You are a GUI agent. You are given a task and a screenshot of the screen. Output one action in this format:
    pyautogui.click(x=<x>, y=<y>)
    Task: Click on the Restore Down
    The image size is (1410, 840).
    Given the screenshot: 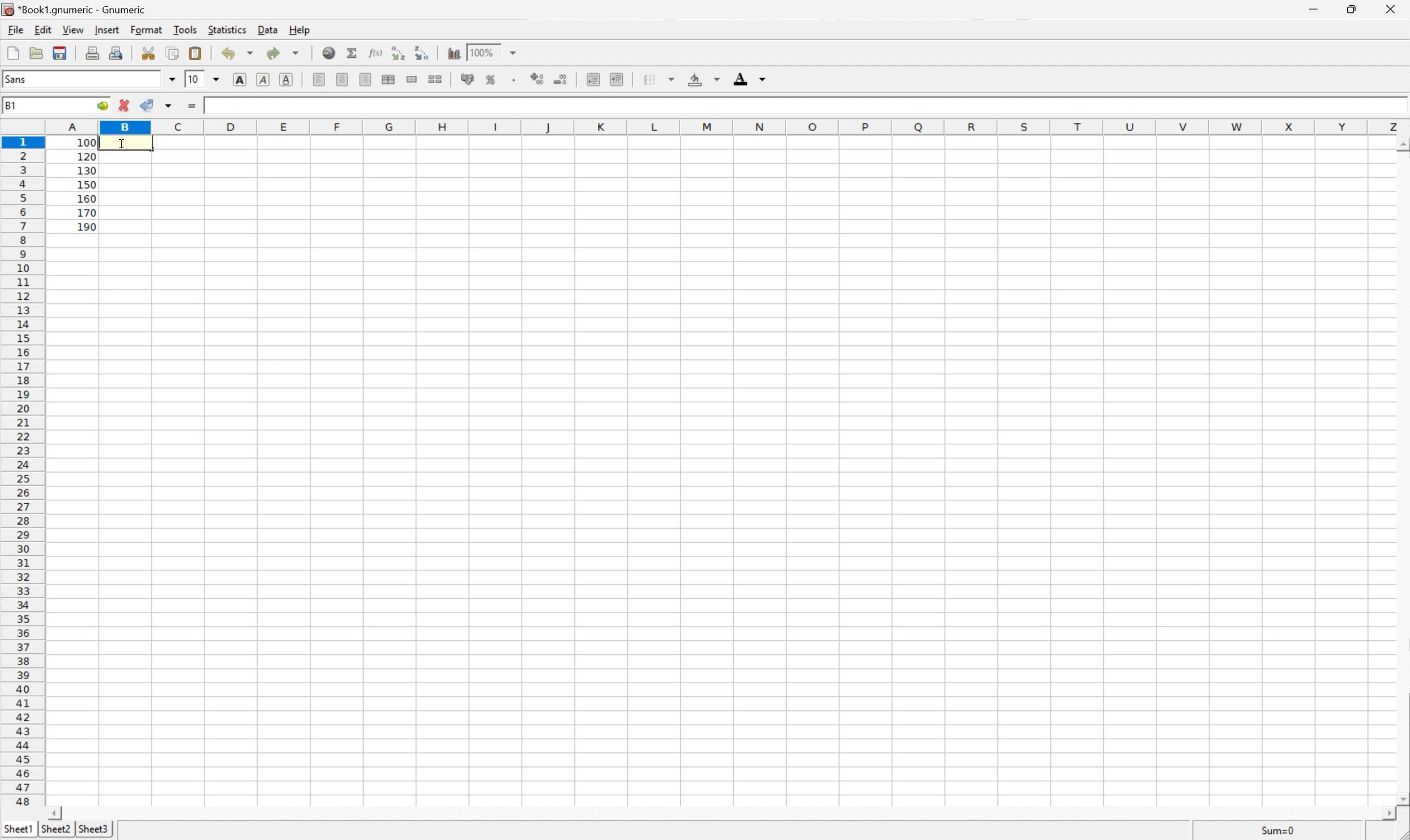 What is the action you would take?
    pyautogui.click(x=1351, y=10)
    